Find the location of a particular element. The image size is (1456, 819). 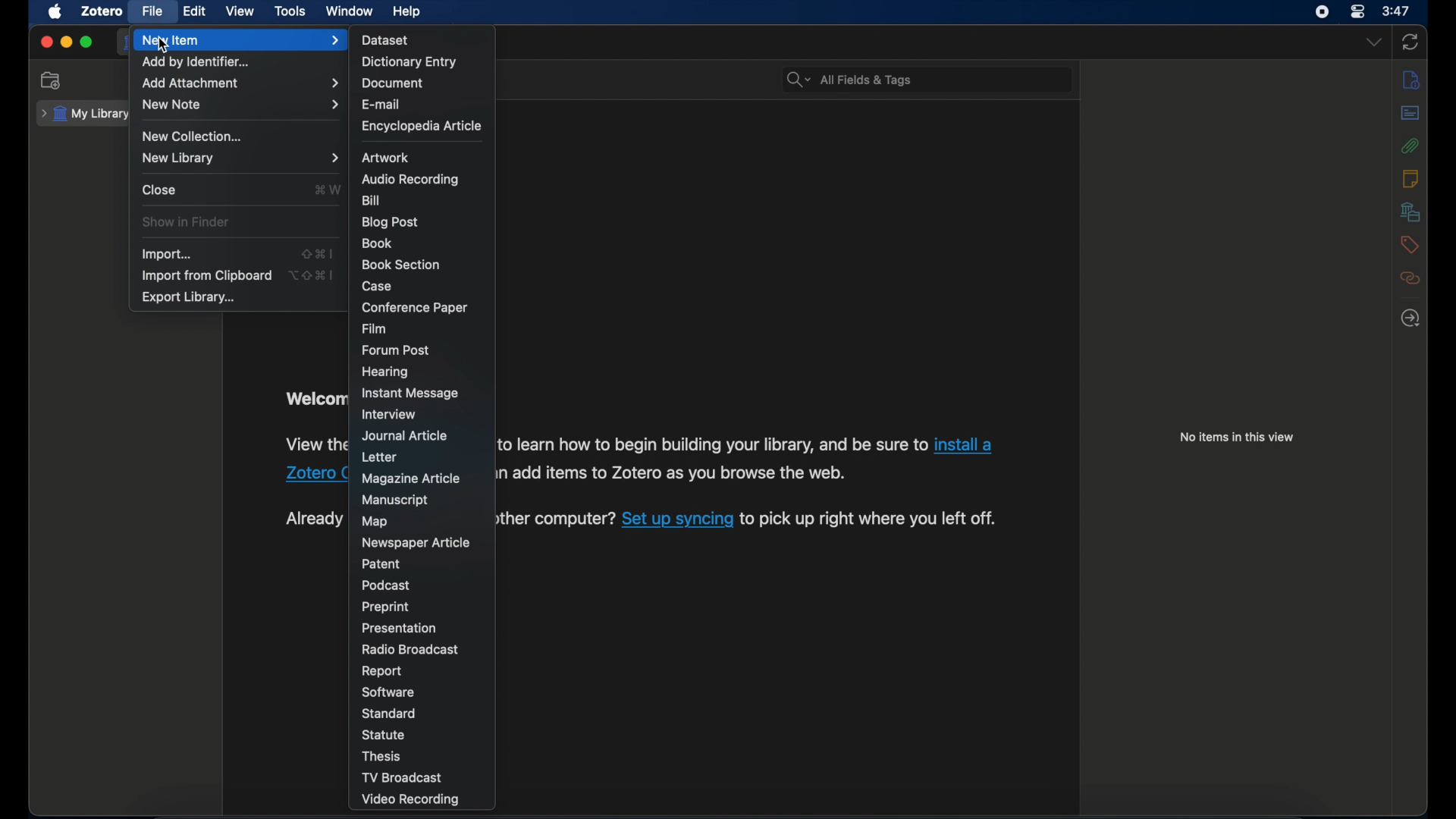

window is located at coordinates (351, 11).